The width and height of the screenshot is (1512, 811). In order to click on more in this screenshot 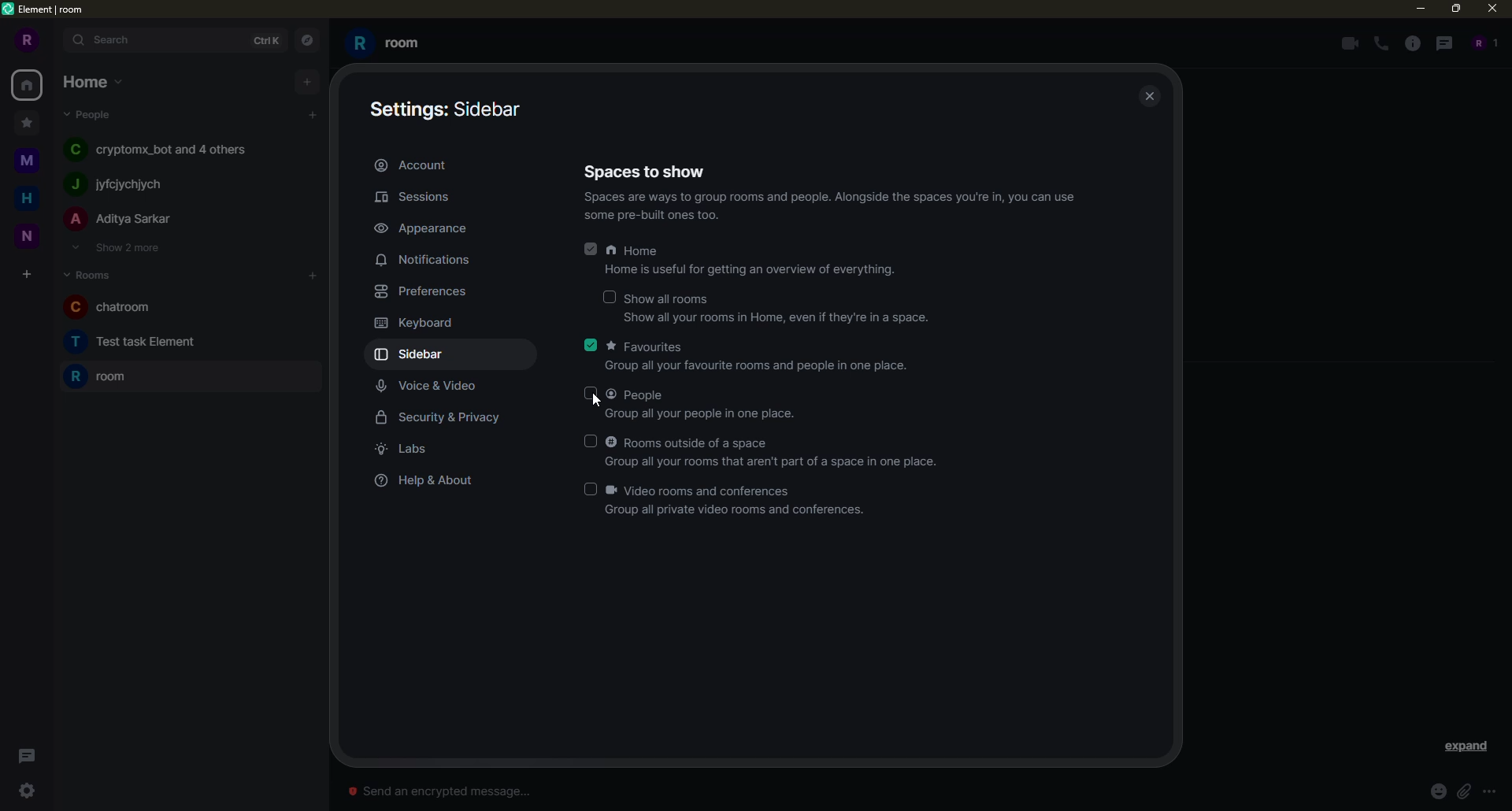, I will do `click(1489, 792)`.